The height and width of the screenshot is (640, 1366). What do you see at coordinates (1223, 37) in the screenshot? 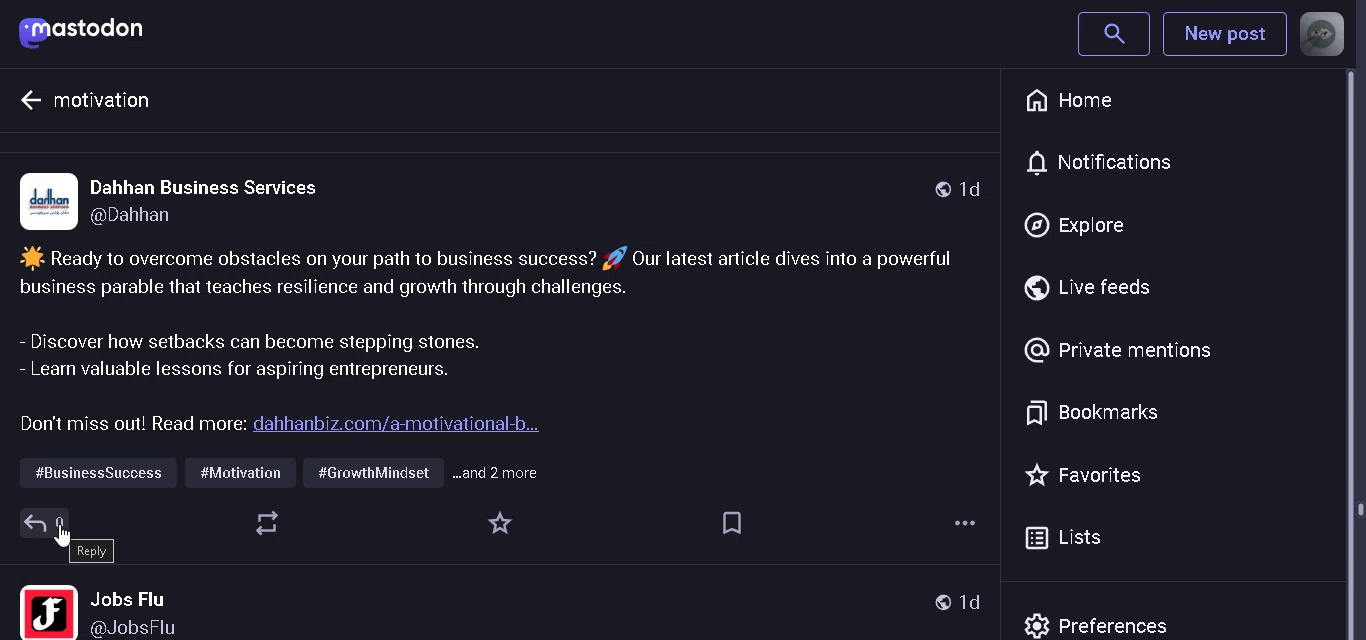
I see `New Post` at bounding box center [1223, 37].